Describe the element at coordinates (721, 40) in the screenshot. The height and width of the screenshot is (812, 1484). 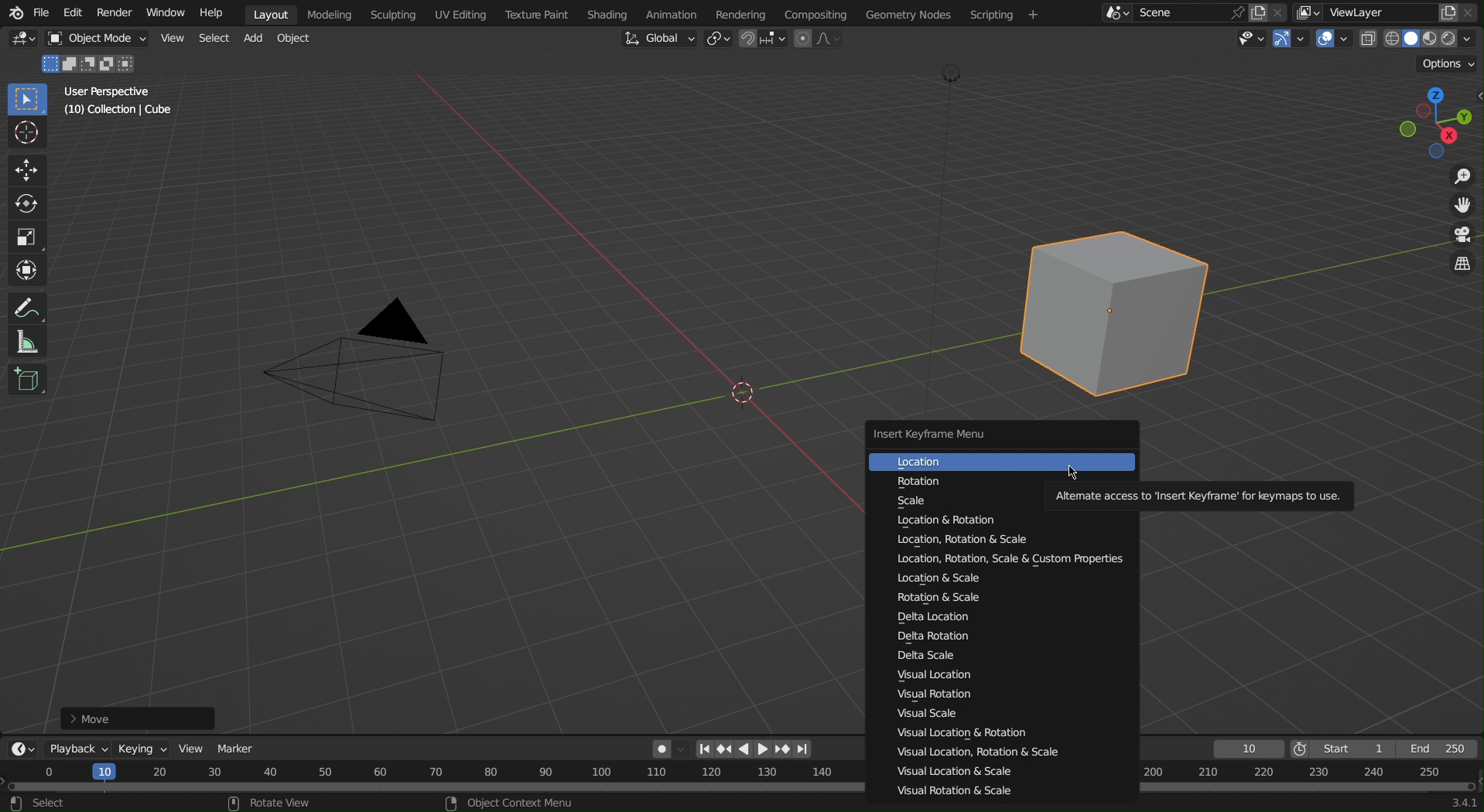
I see `Transform Pivot Point` at that location.